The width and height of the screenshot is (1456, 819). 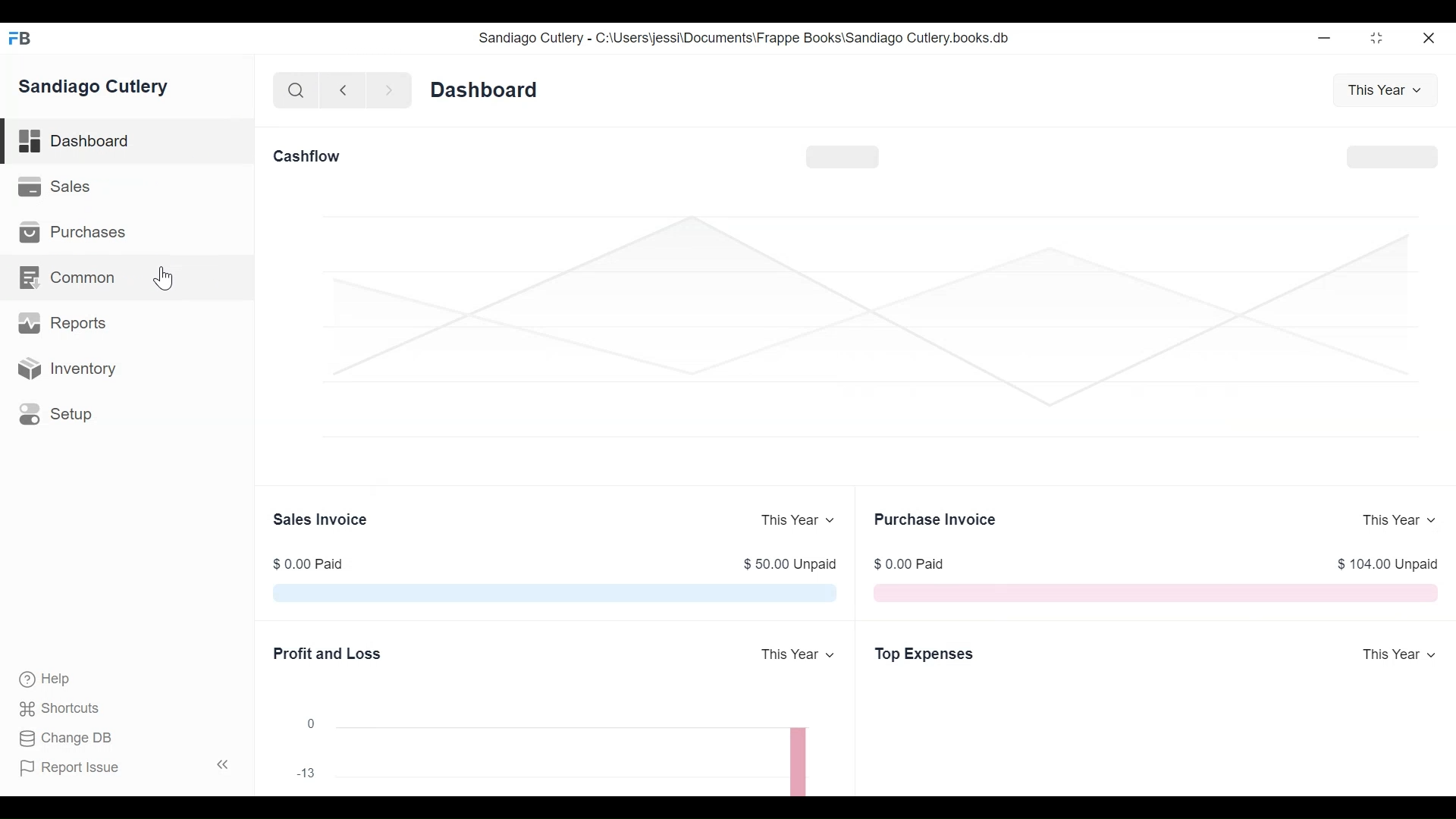 I want to click on Frappe Books Desktop icon, so click(x=21, y=39).